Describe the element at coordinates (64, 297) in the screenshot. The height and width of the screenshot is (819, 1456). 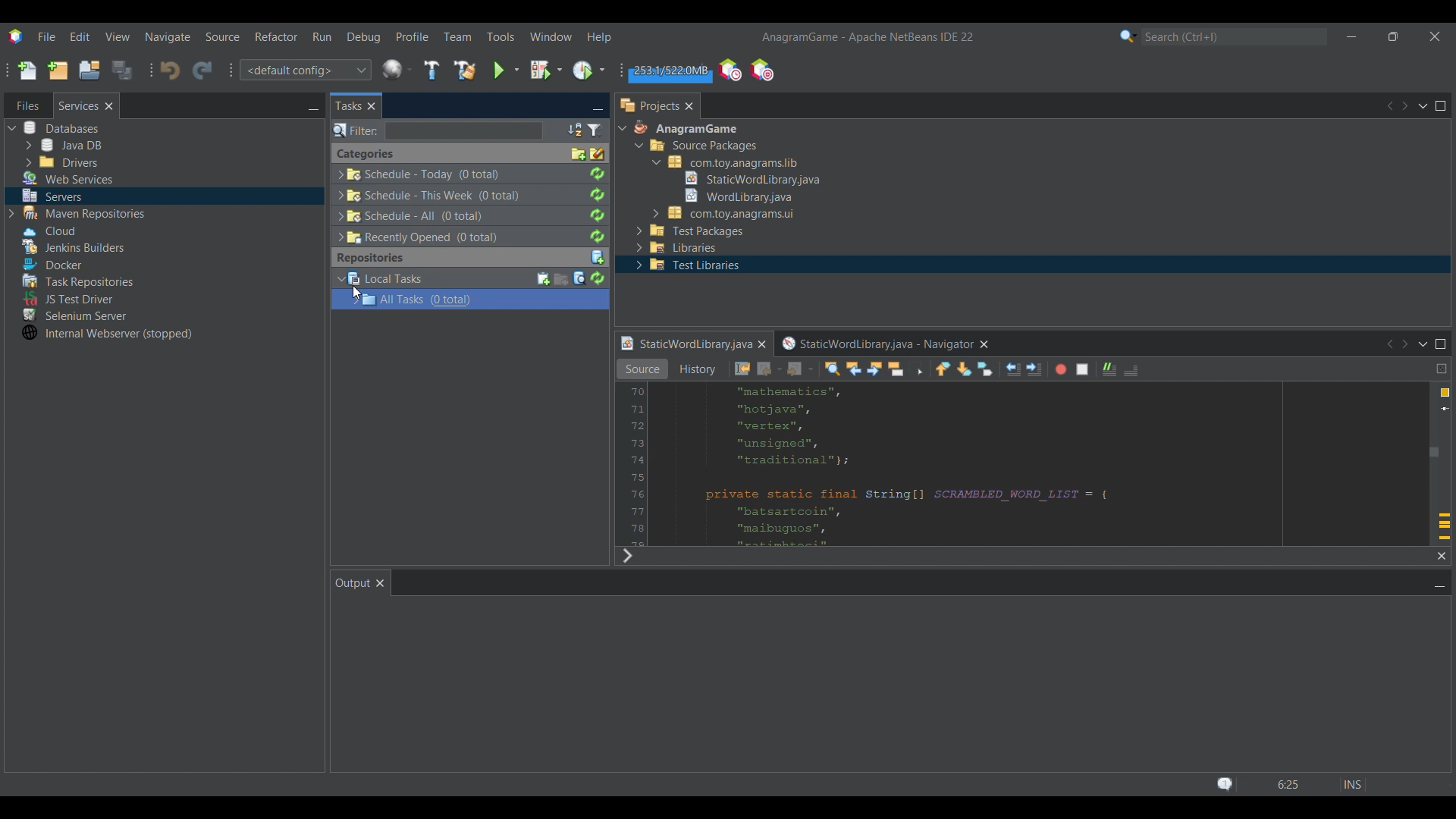
I see `` at that location.